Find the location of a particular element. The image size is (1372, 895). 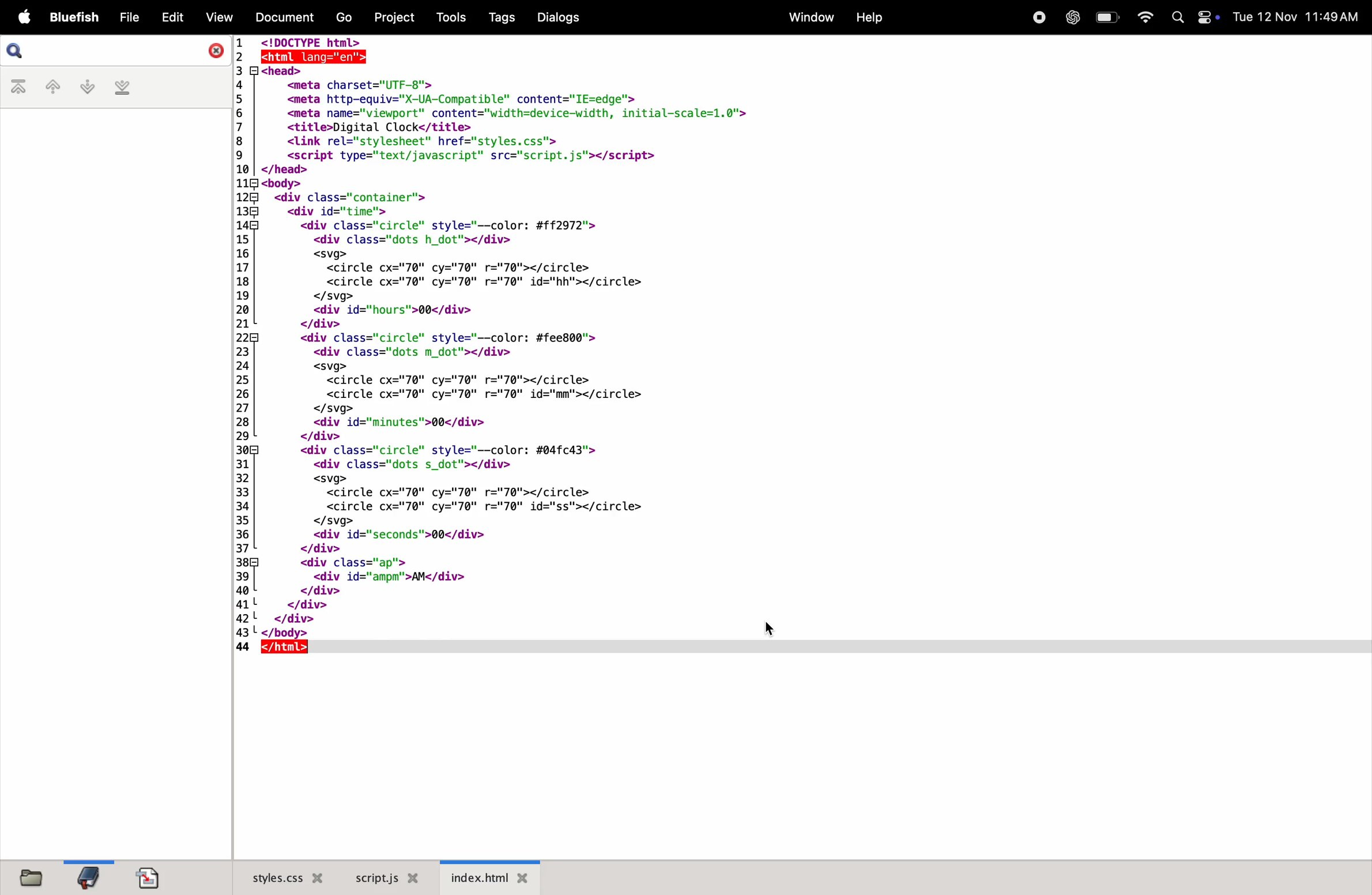

chatgpt is located at coordinates (1069, 17).